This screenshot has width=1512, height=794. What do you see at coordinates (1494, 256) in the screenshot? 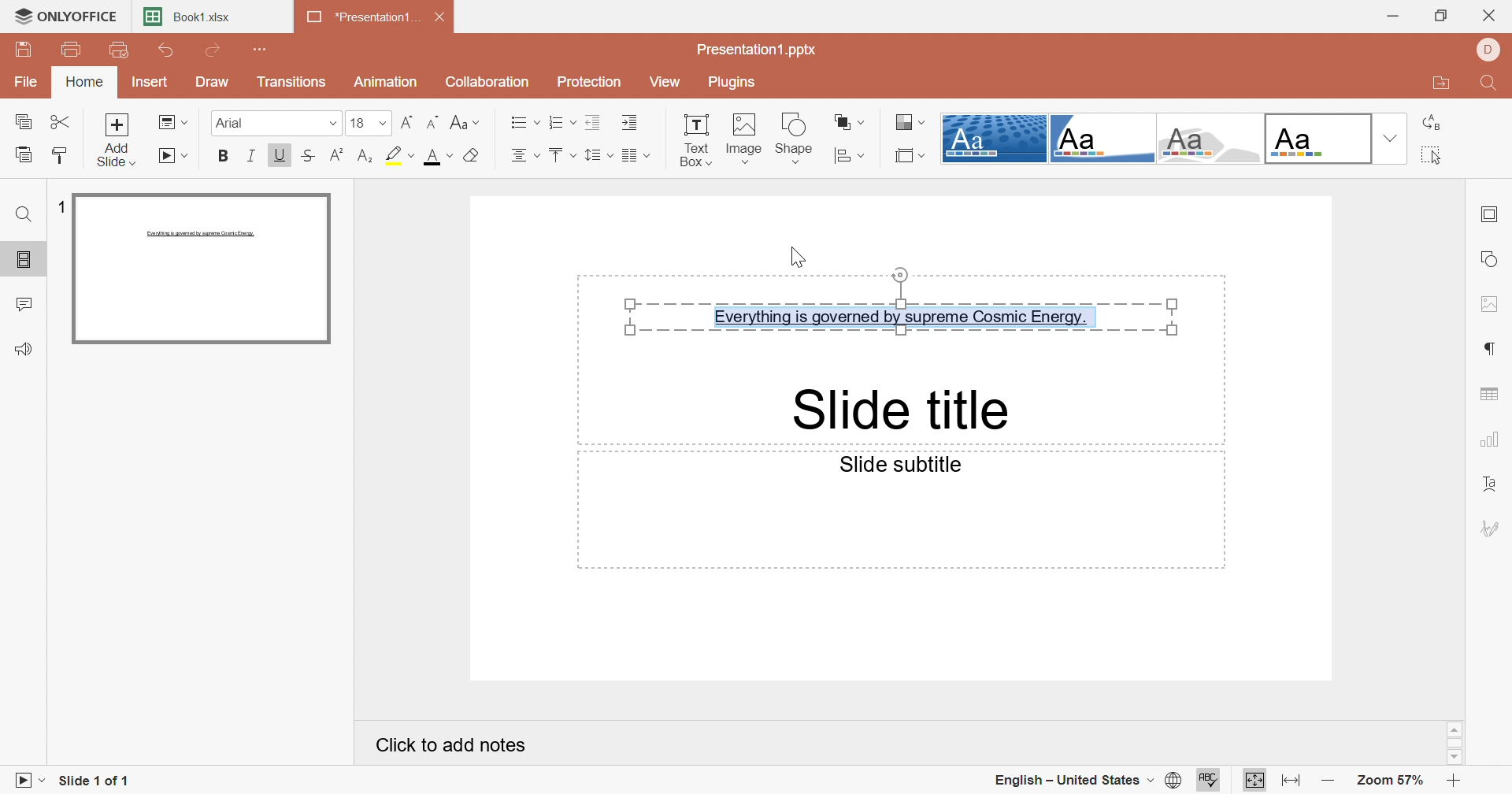
I see `Shape settings` at bounding box center [1494, 256].